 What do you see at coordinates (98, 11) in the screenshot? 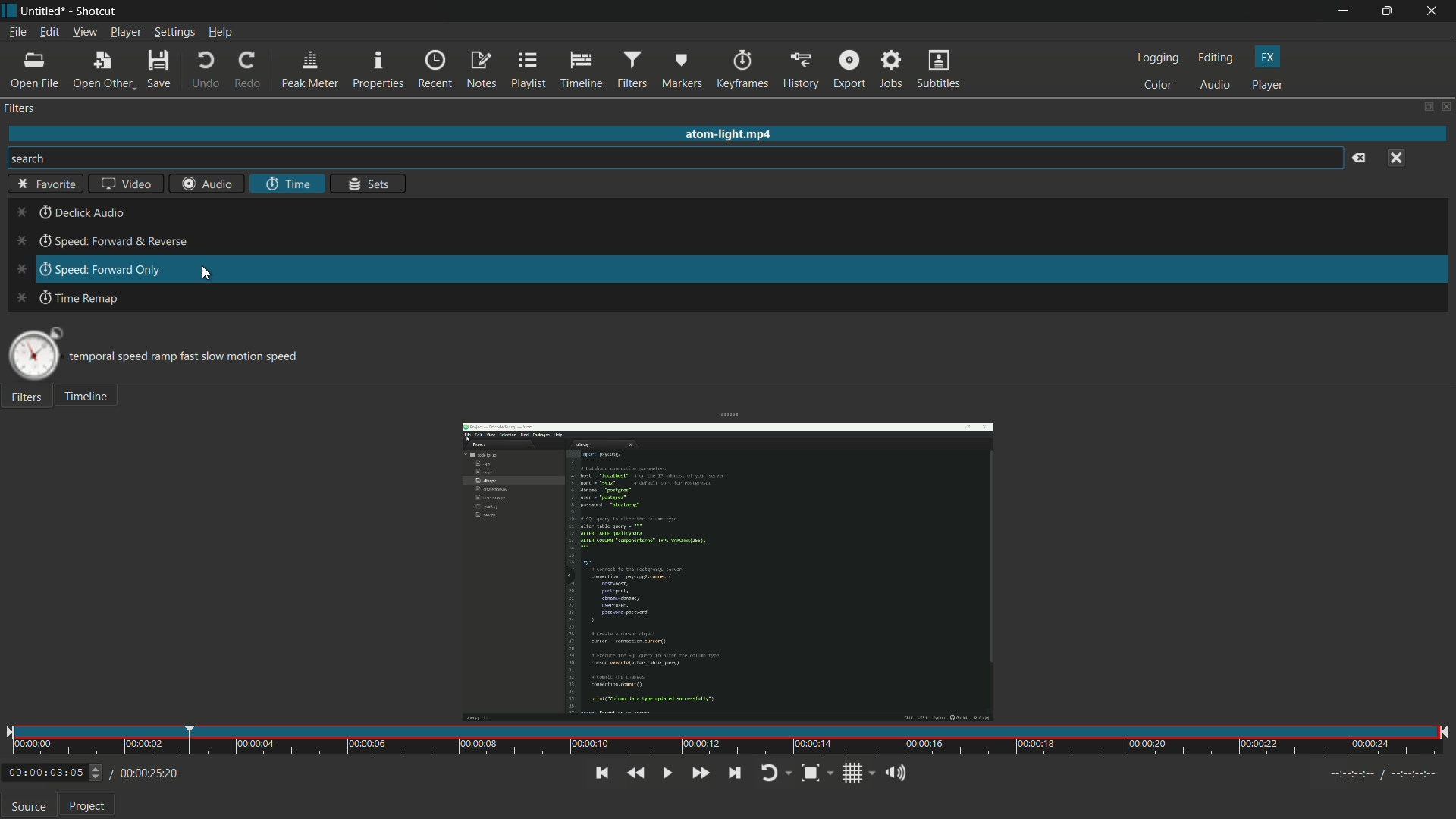
I see `Shotcut` at bounding box center [98, 11].